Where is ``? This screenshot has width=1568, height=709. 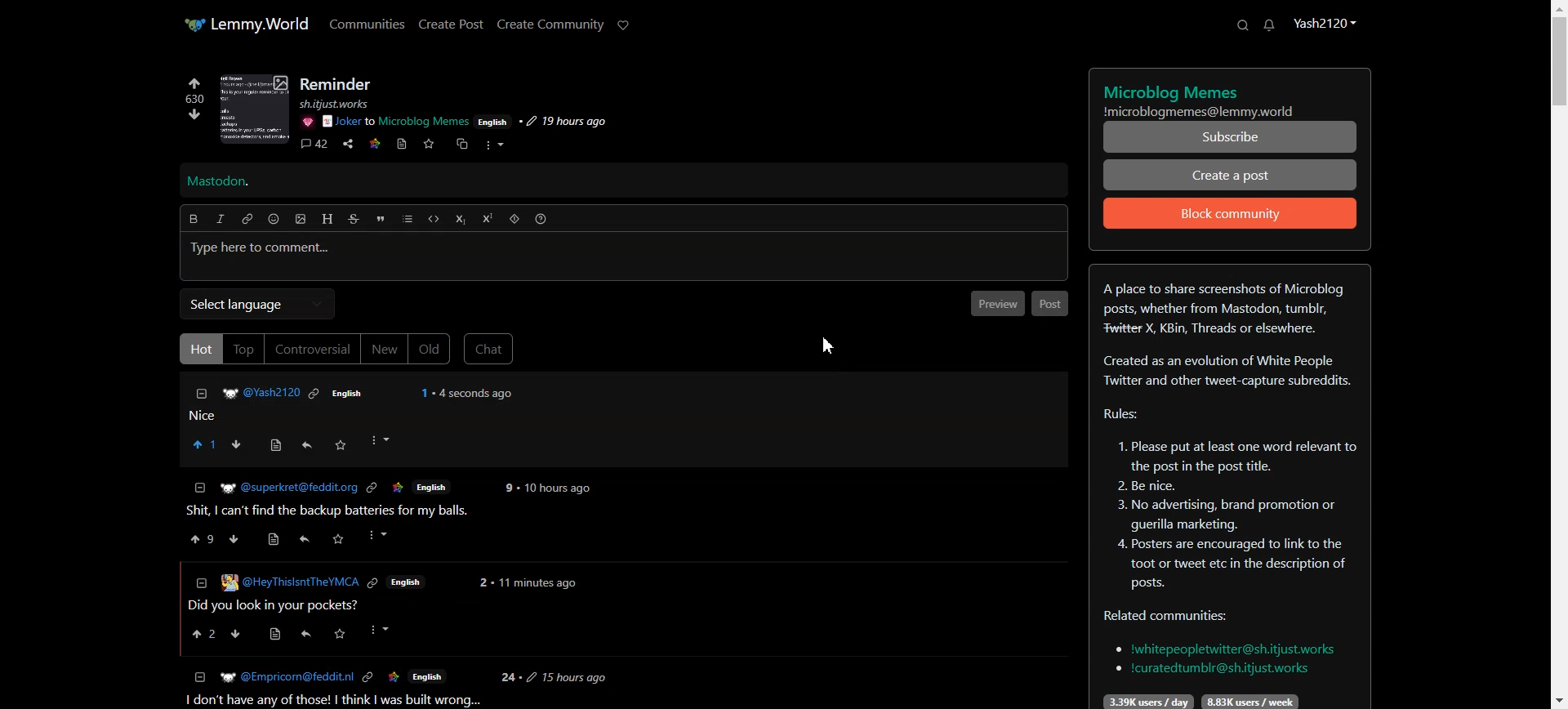
 is located at coordinates (285, 583).